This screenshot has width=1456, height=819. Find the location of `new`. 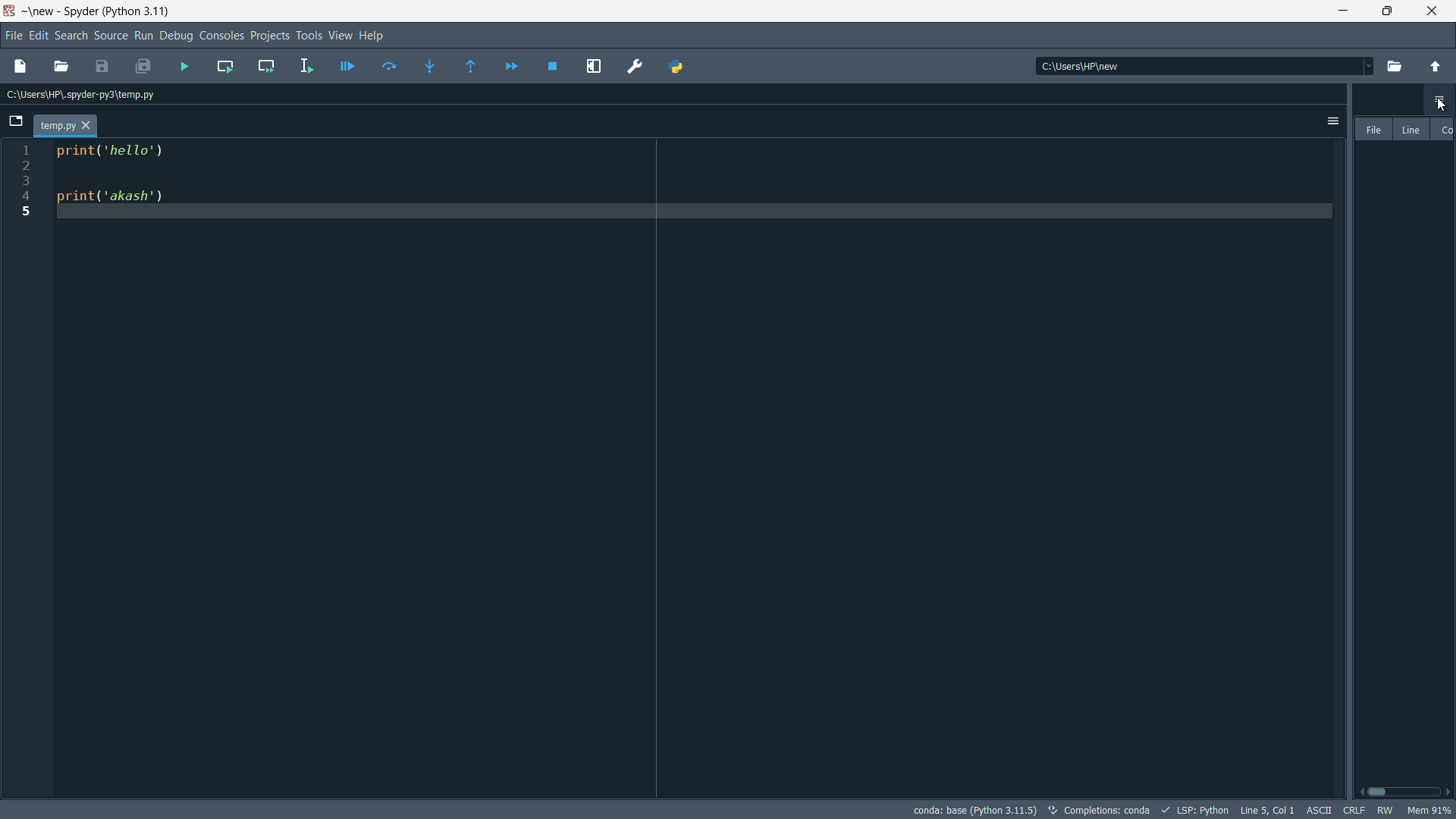

new is located at coordinates (40, 12).